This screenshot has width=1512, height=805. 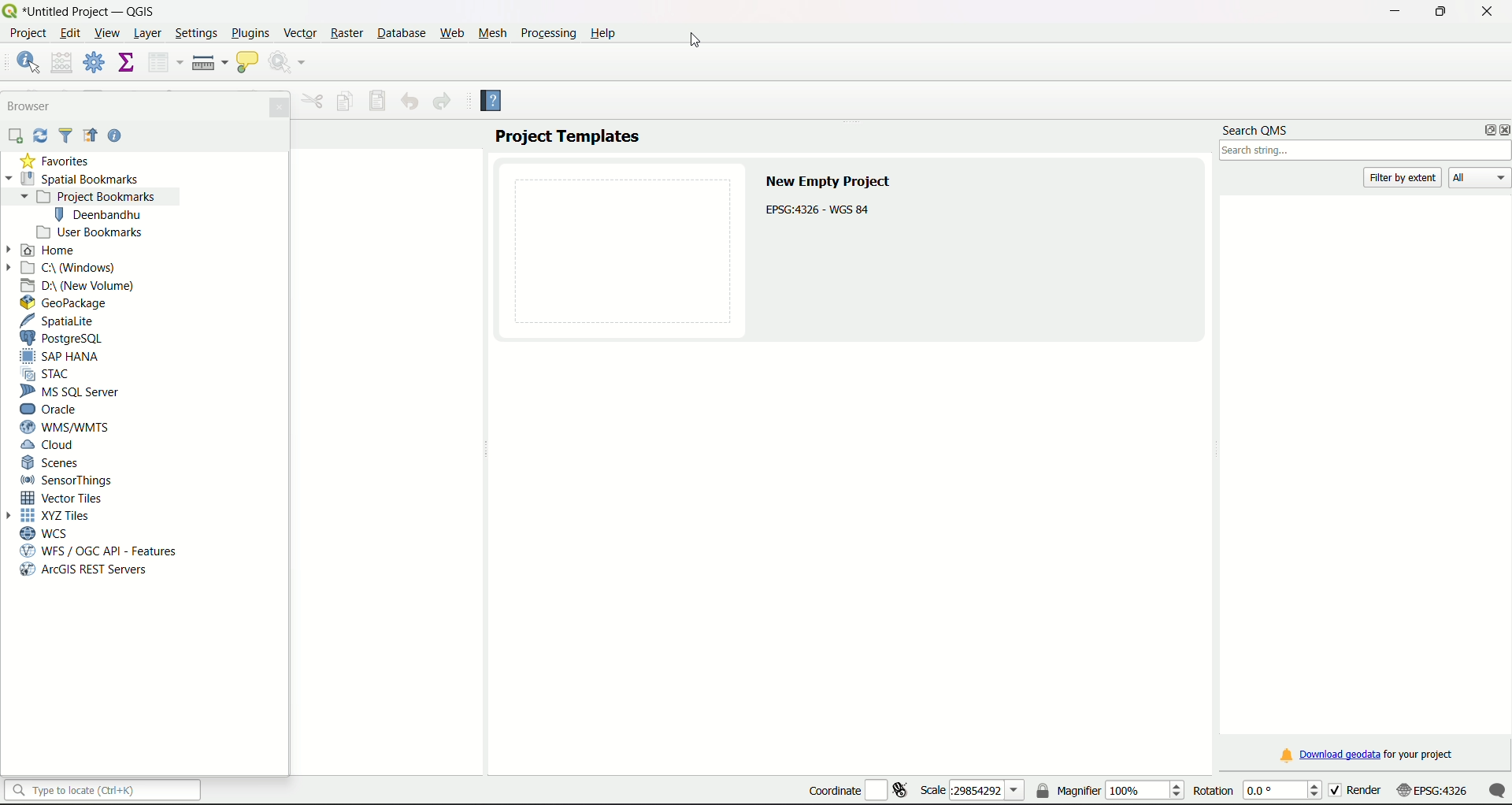 I want to click on Home, so click(x=52, y=247).